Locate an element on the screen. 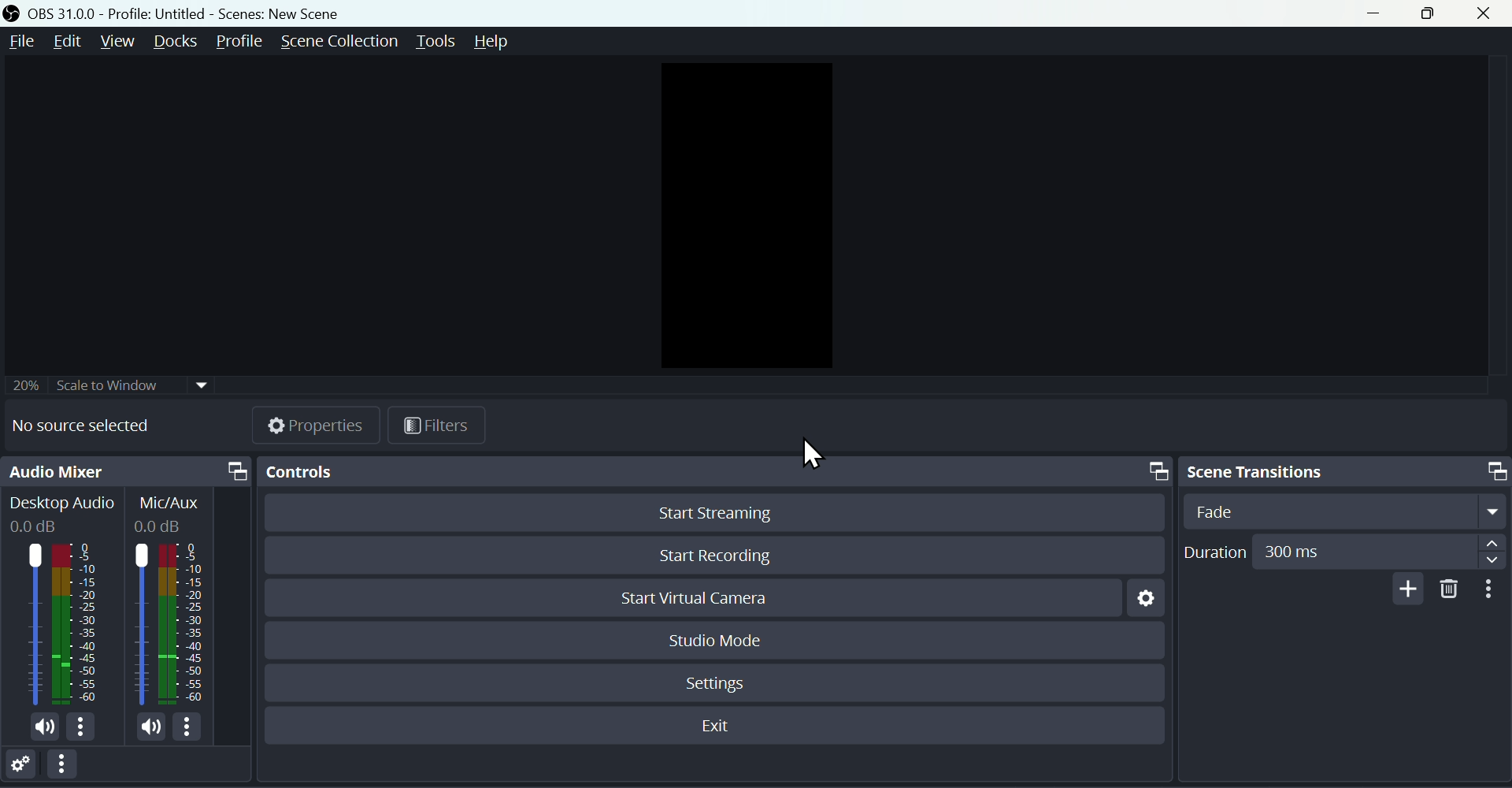 The width and height of the screenshot is (1512, 788). Mic/Aux is located at coordinates (174, 513).